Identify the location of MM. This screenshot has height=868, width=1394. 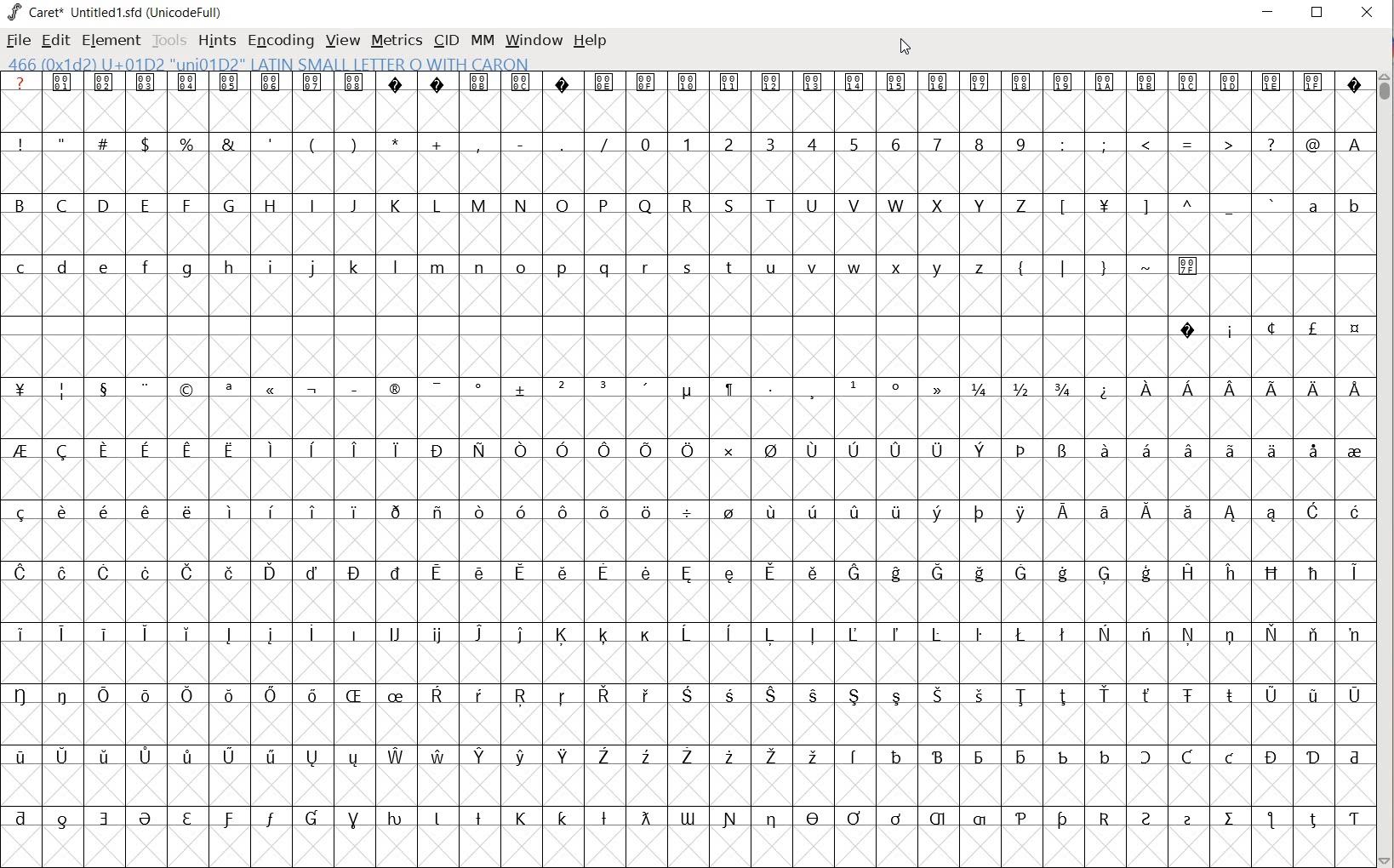
(479, 40).